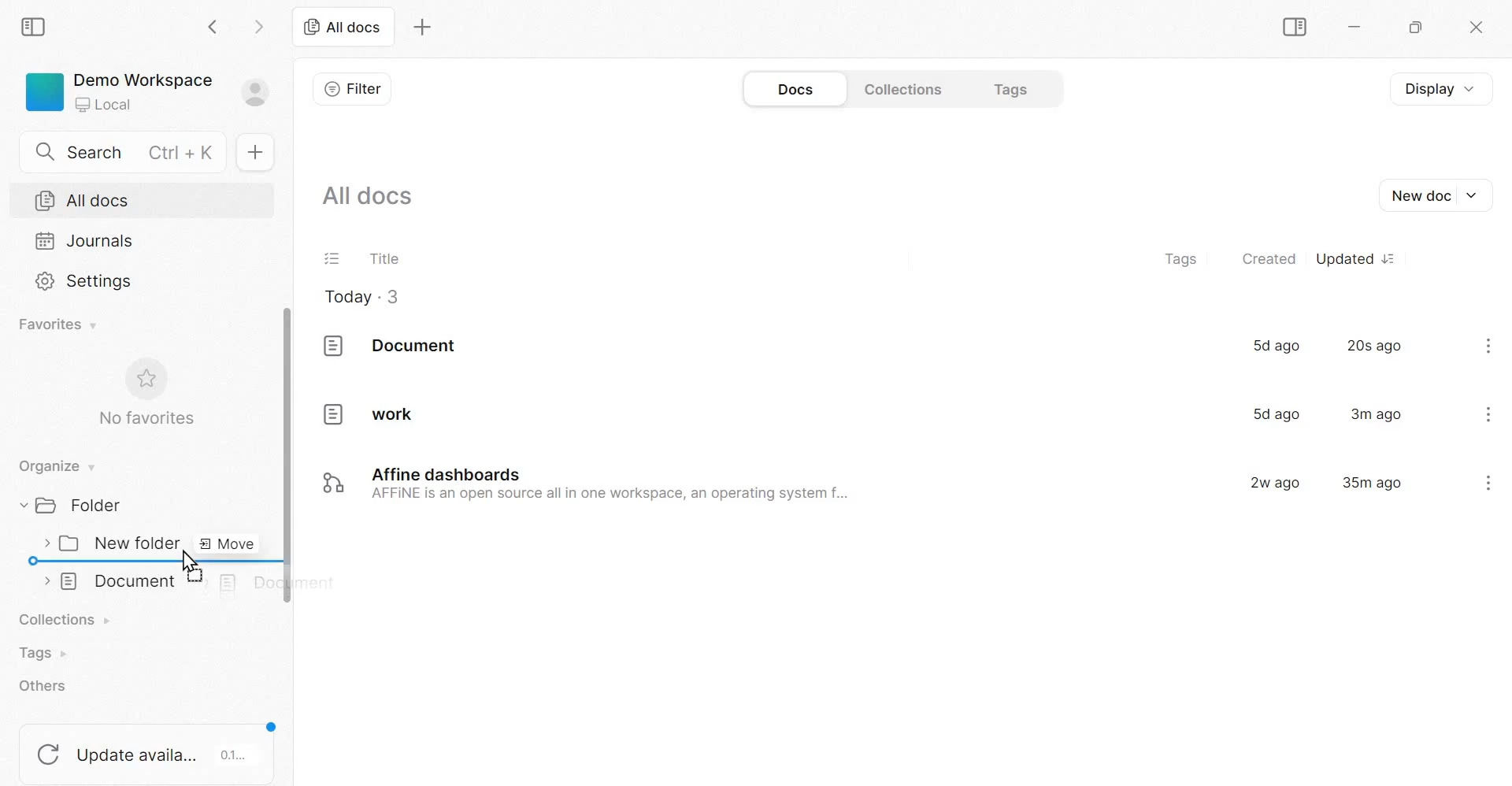 The width and height of the screenshot is (1512, 786). Describe the element at coordinates (122, 581) in the screenshot. I see `Document` at that location.